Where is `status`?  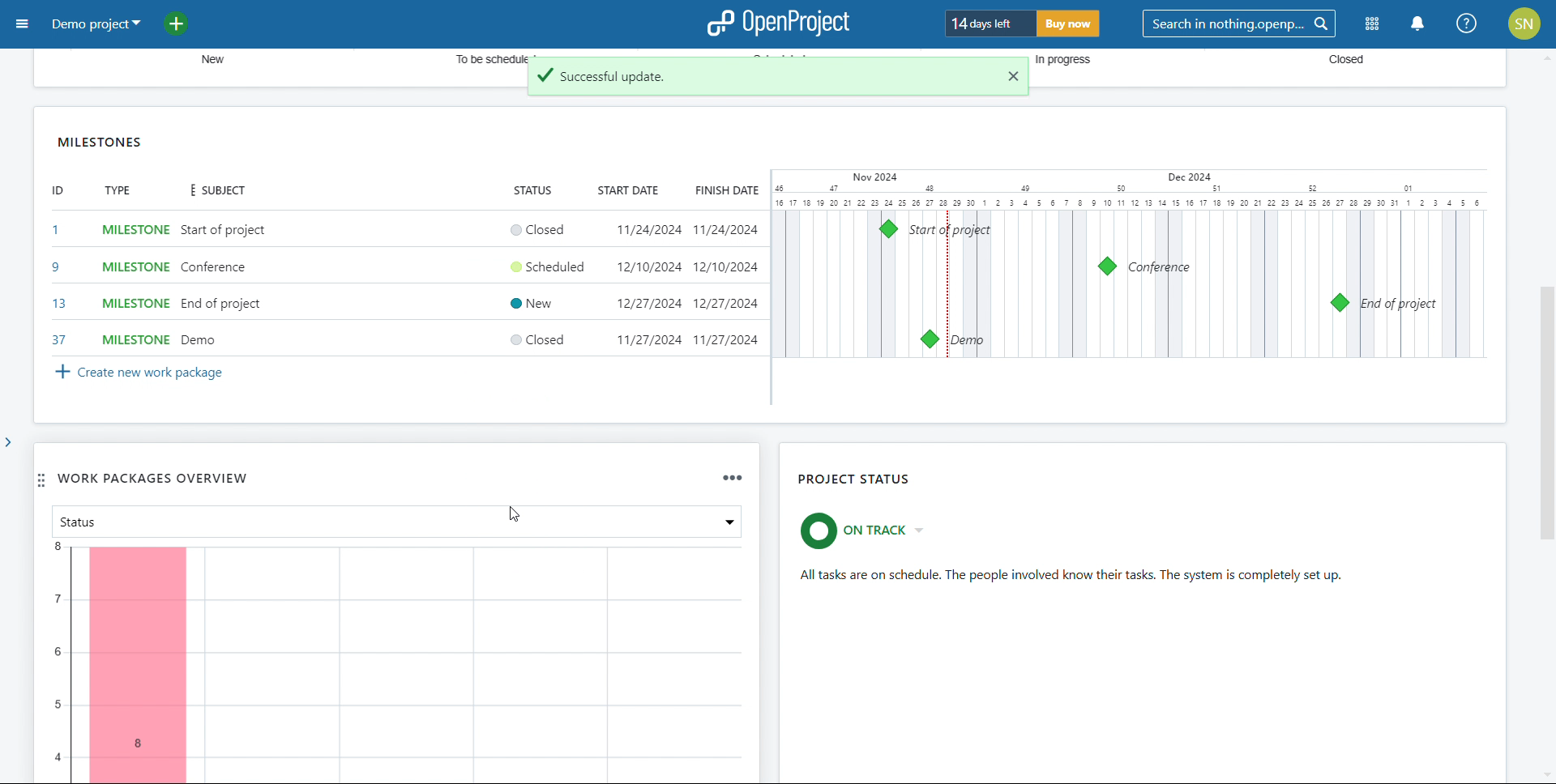
status is located at coordinates (530, 191).